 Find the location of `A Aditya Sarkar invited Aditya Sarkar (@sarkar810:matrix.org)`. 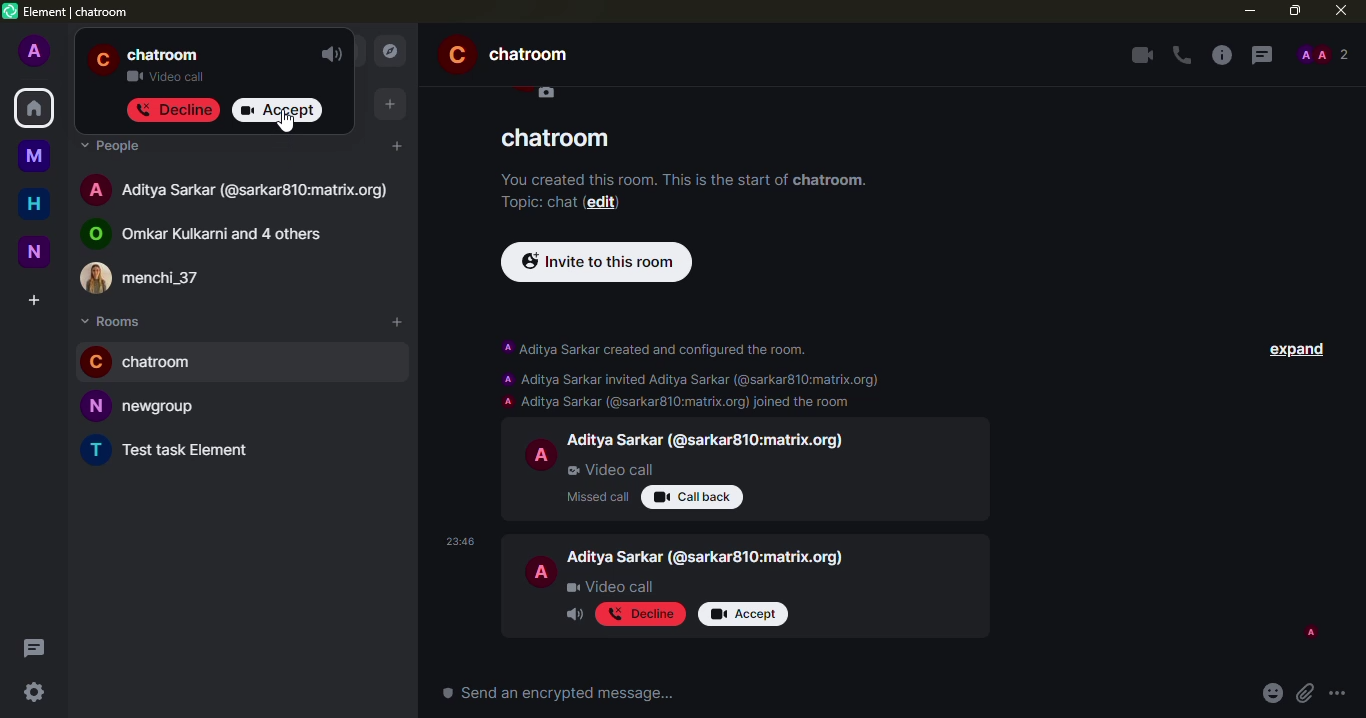

A Aditya Sarkar invited Aditya Sarkar (@sarkar810:matrix.org) is located at coordinates (689, 378).